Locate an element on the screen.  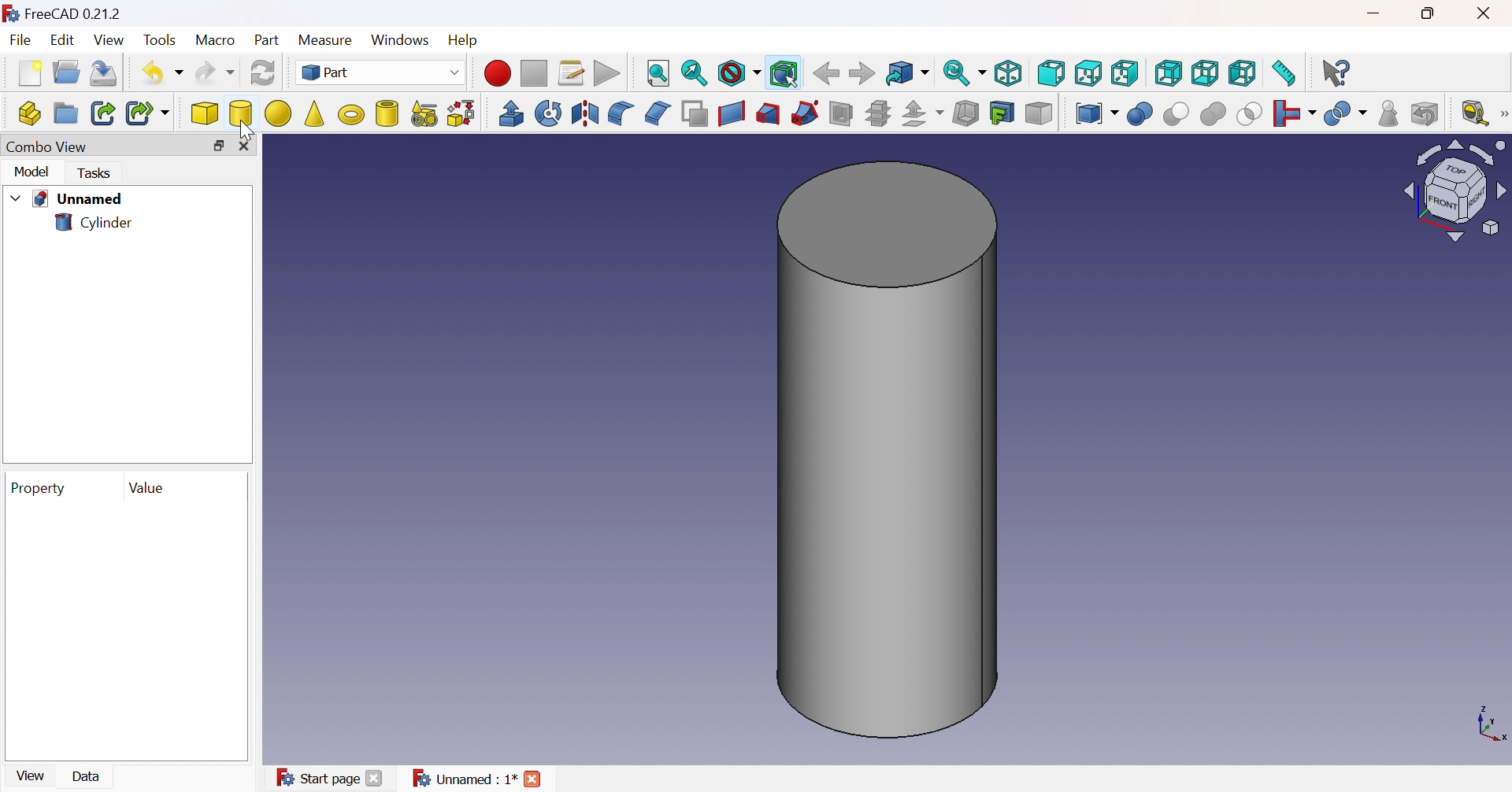
Extrude is located at coordinates (510, 113).